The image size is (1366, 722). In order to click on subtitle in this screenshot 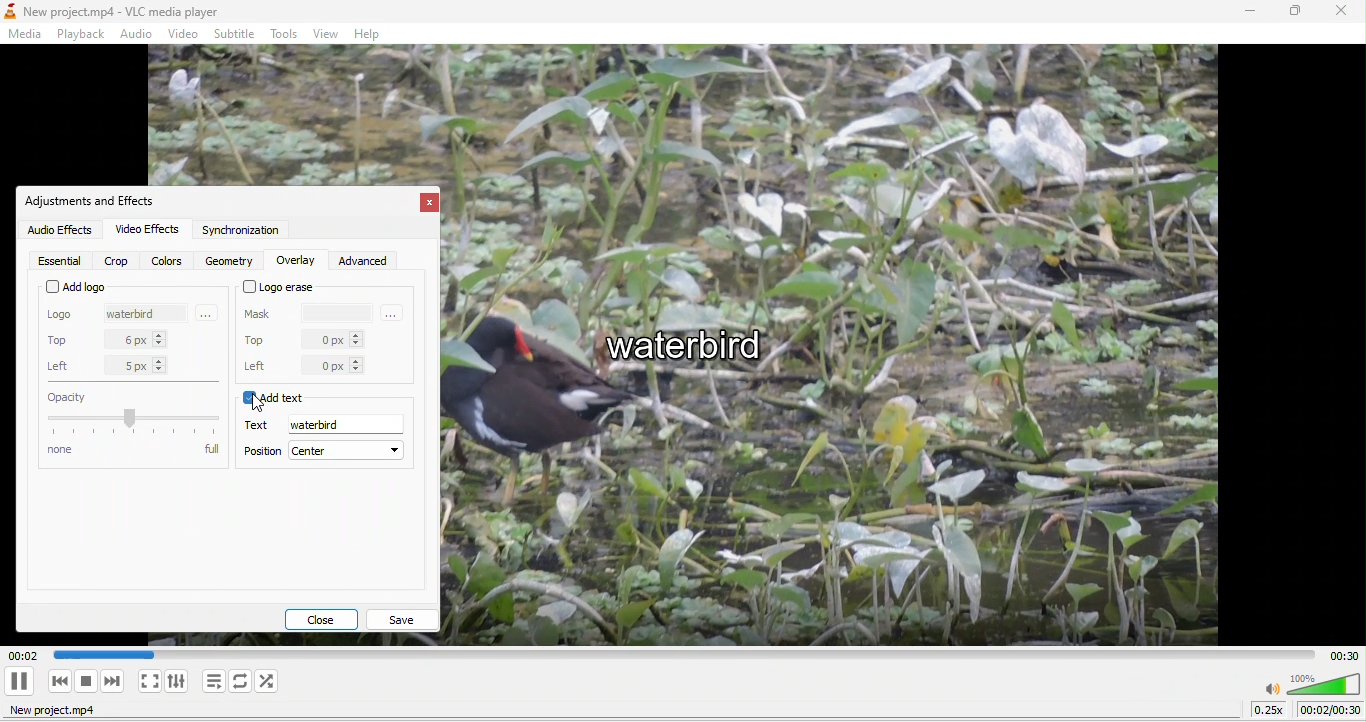, I will do `click(237, 32)`.